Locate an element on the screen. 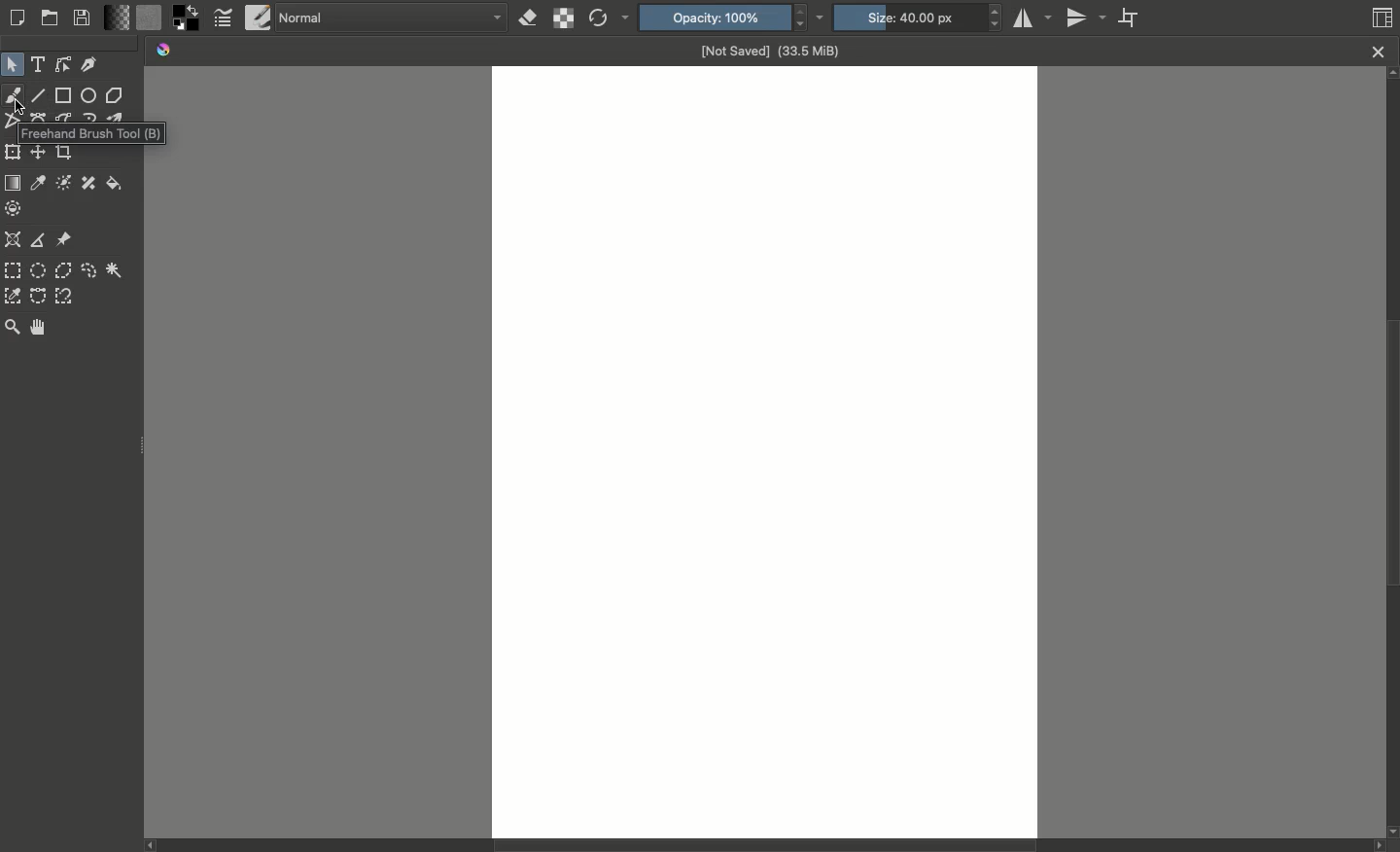 This screenshot has height=852, width=1400. References image tool is located at coordinates (65, 239).